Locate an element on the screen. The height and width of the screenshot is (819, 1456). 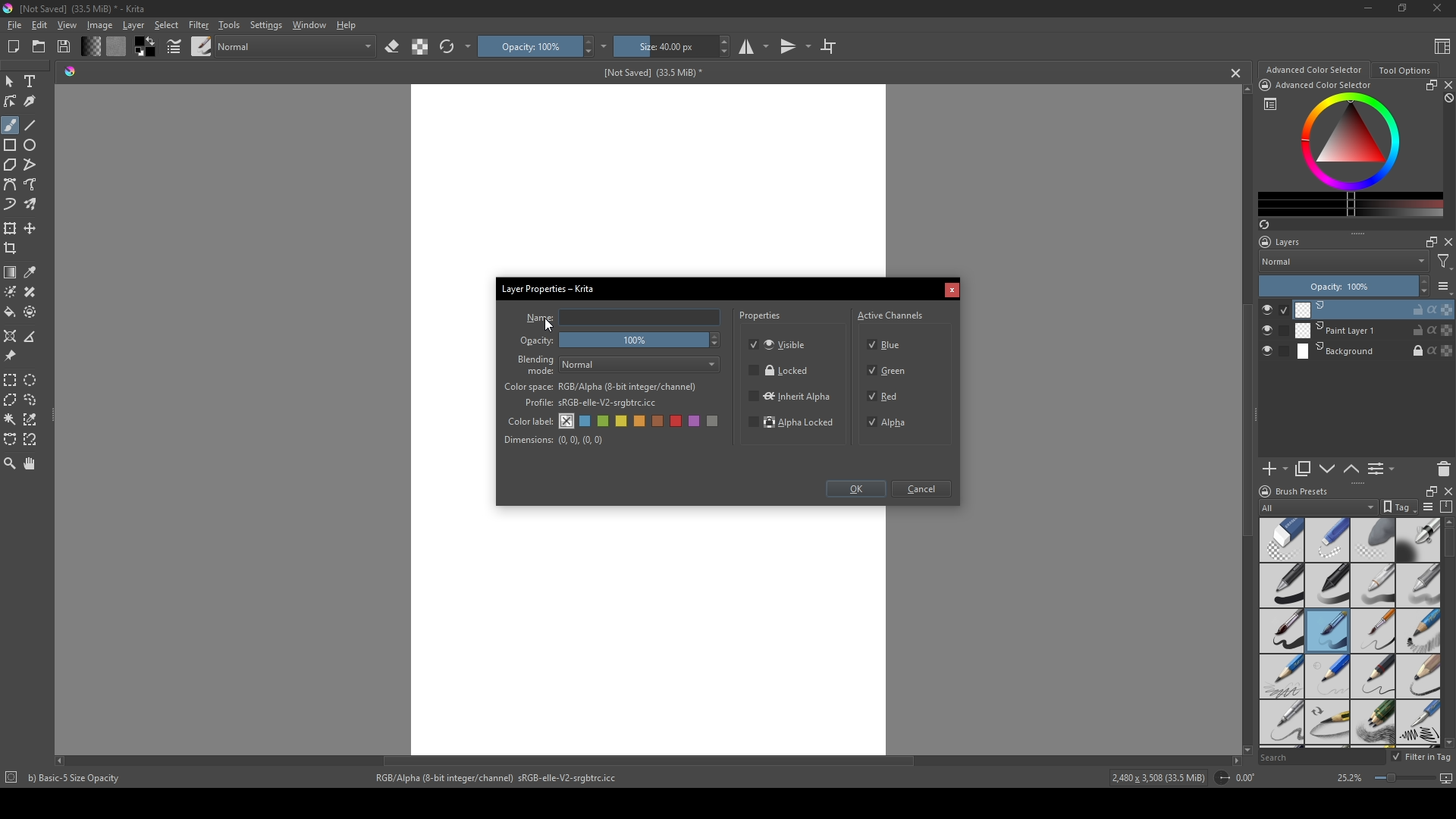
studio mode is located at coordinates (754, 46).